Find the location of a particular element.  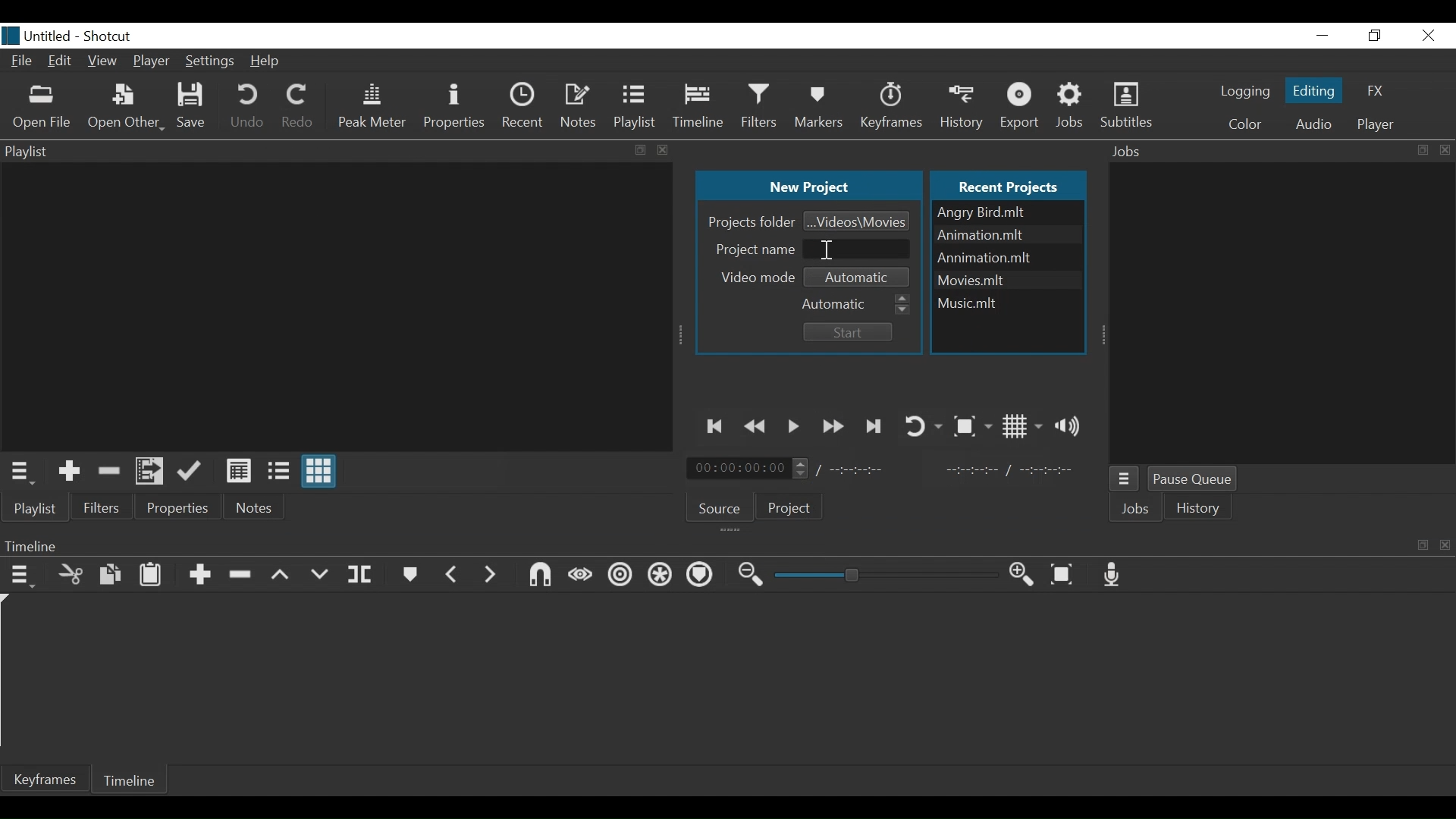

File name is located at coordinates (1006, 300).